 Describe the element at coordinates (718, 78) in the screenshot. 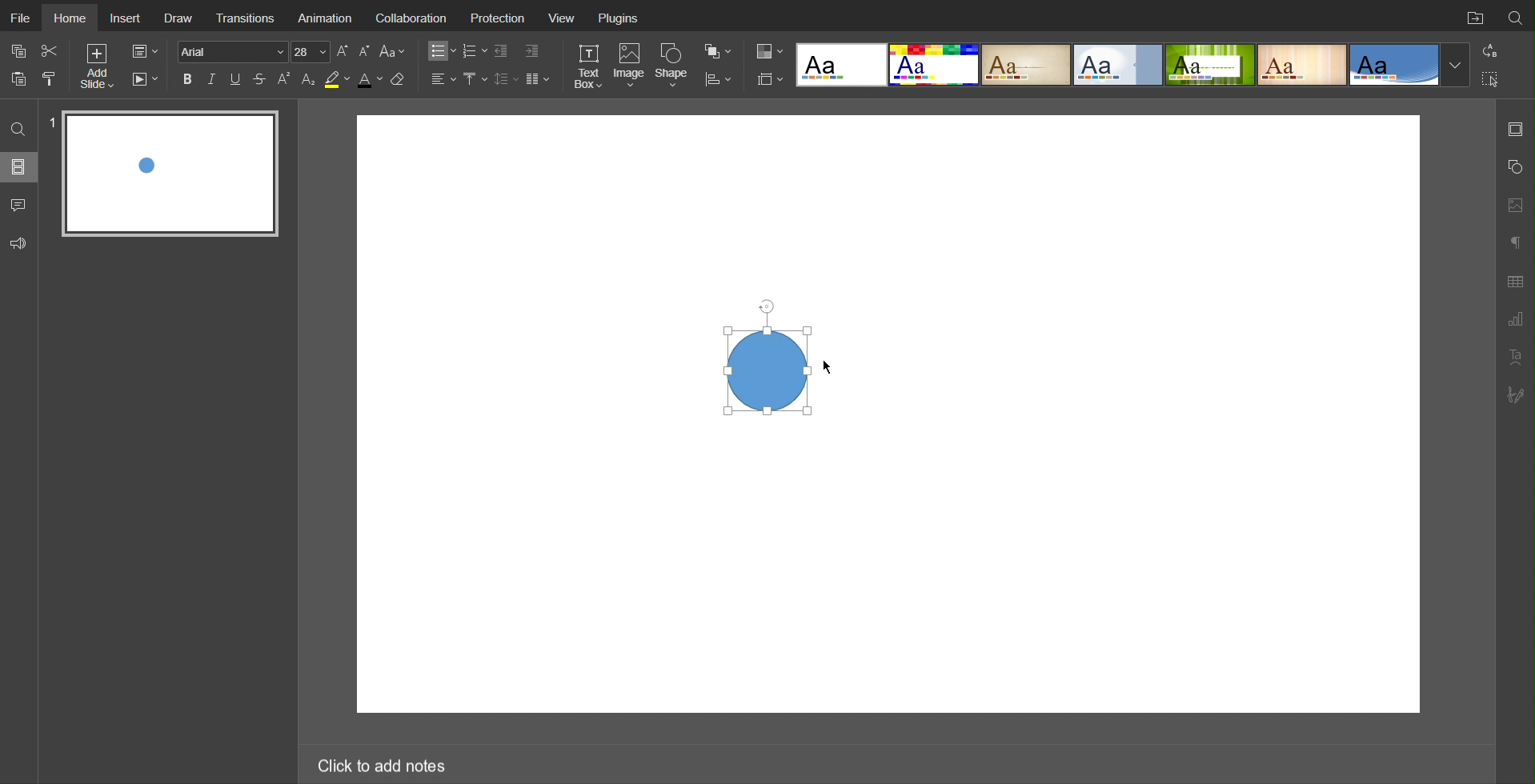

I see `Distribution` at that location.